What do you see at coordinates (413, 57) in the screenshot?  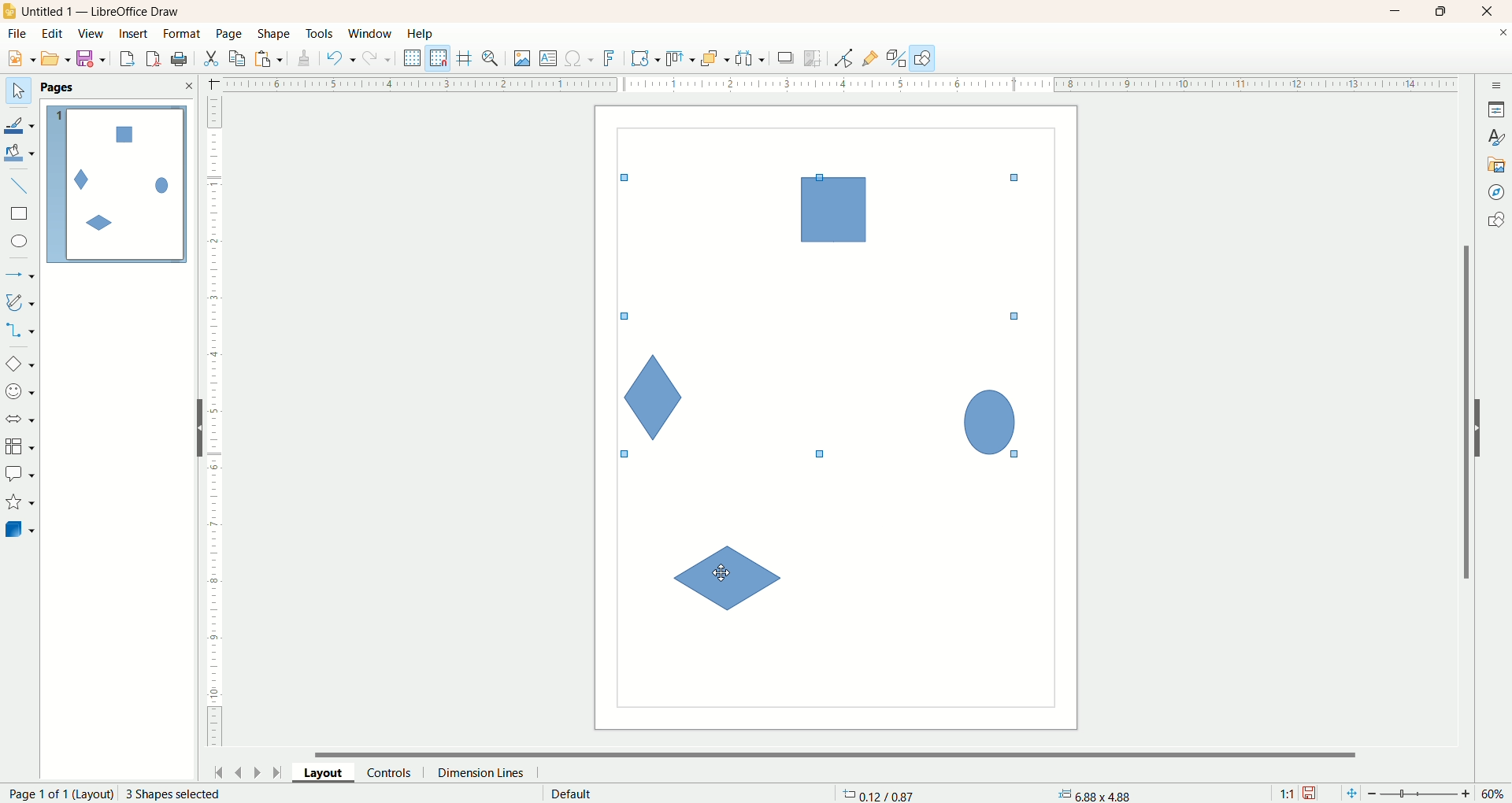 I see `display grid` at bounding box center [413, 57].